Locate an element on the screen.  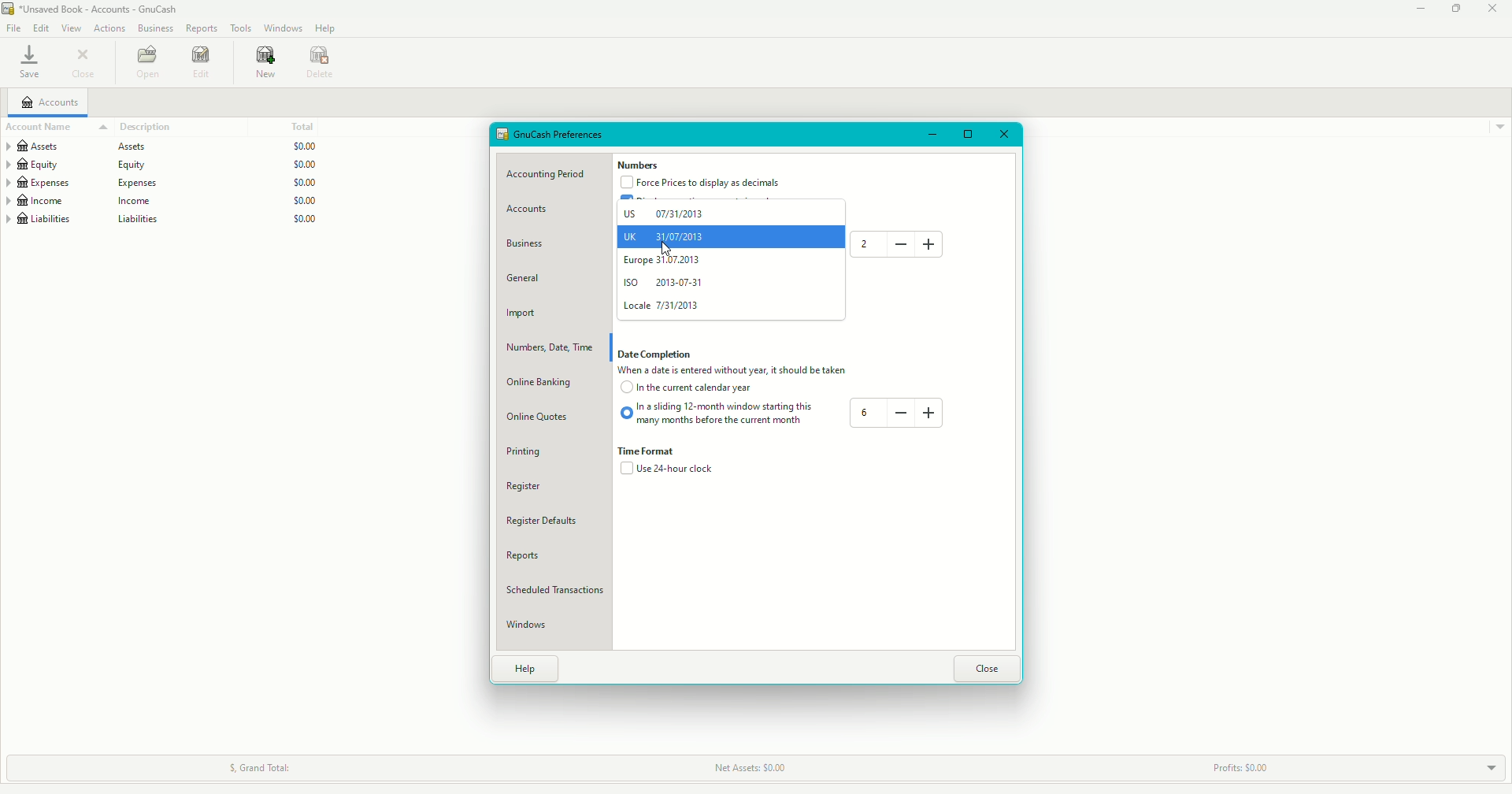
Online Quotes is located at coordinates (547, 416).